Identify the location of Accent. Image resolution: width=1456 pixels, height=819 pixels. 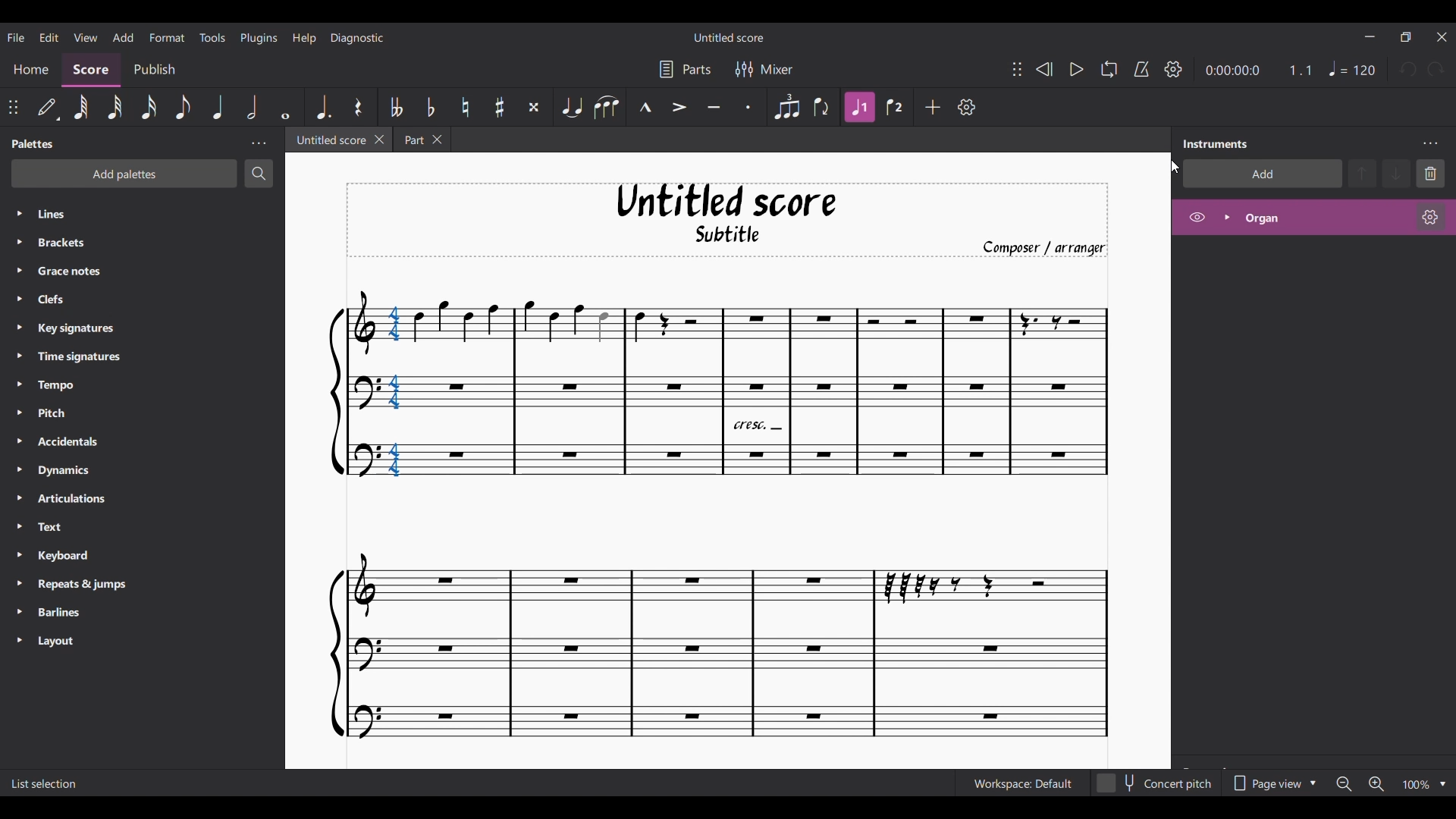
(679, 107).